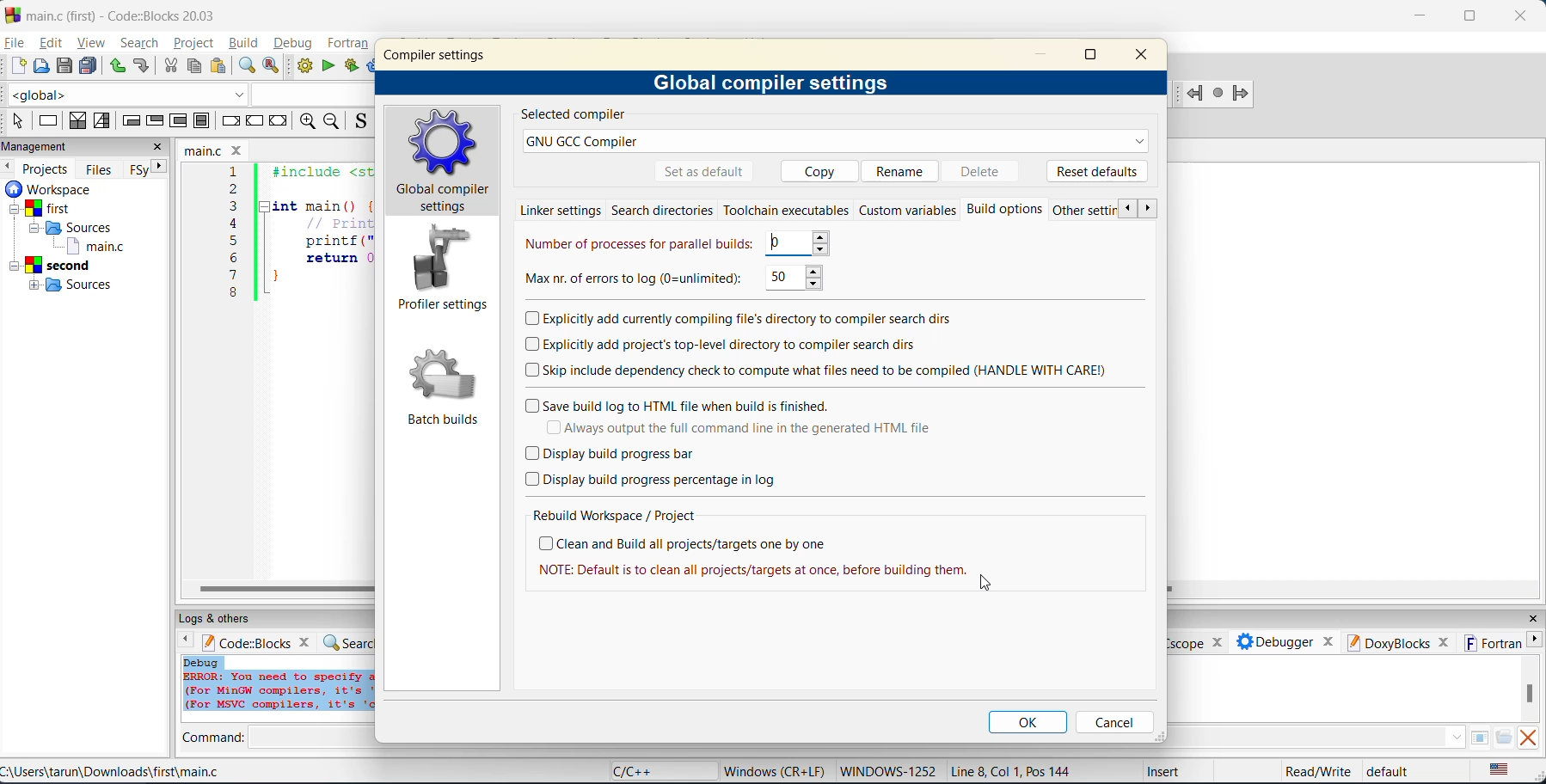 Image resolution: width=1546 pixels, height=784 pixels. I want to click on exit-condition loop, so click(157, 120).